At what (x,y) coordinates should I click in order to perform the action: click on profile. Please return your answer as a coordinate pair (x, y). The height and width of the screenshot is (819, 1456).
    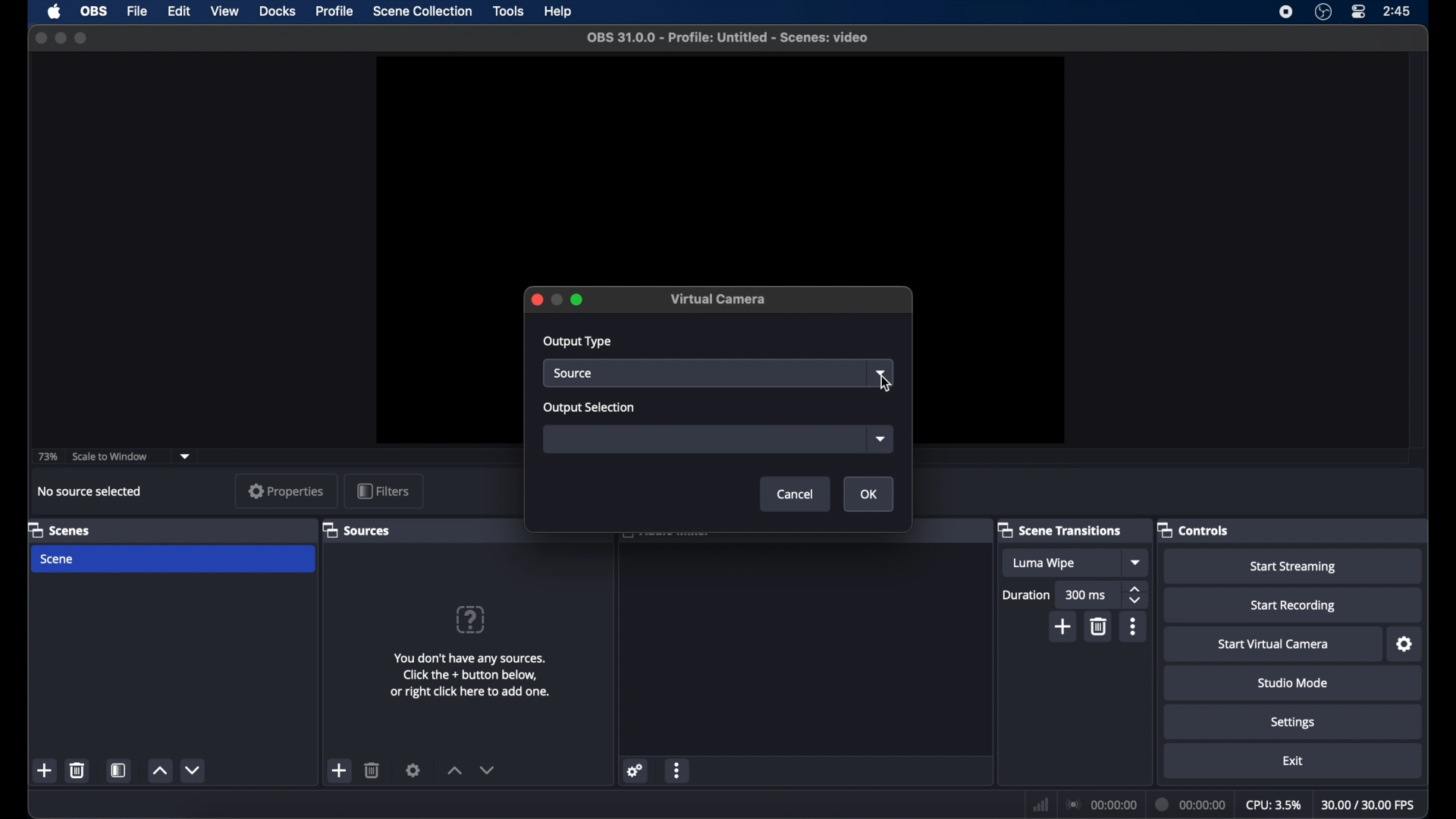
    Looking at the image, I should click on (334, 12).